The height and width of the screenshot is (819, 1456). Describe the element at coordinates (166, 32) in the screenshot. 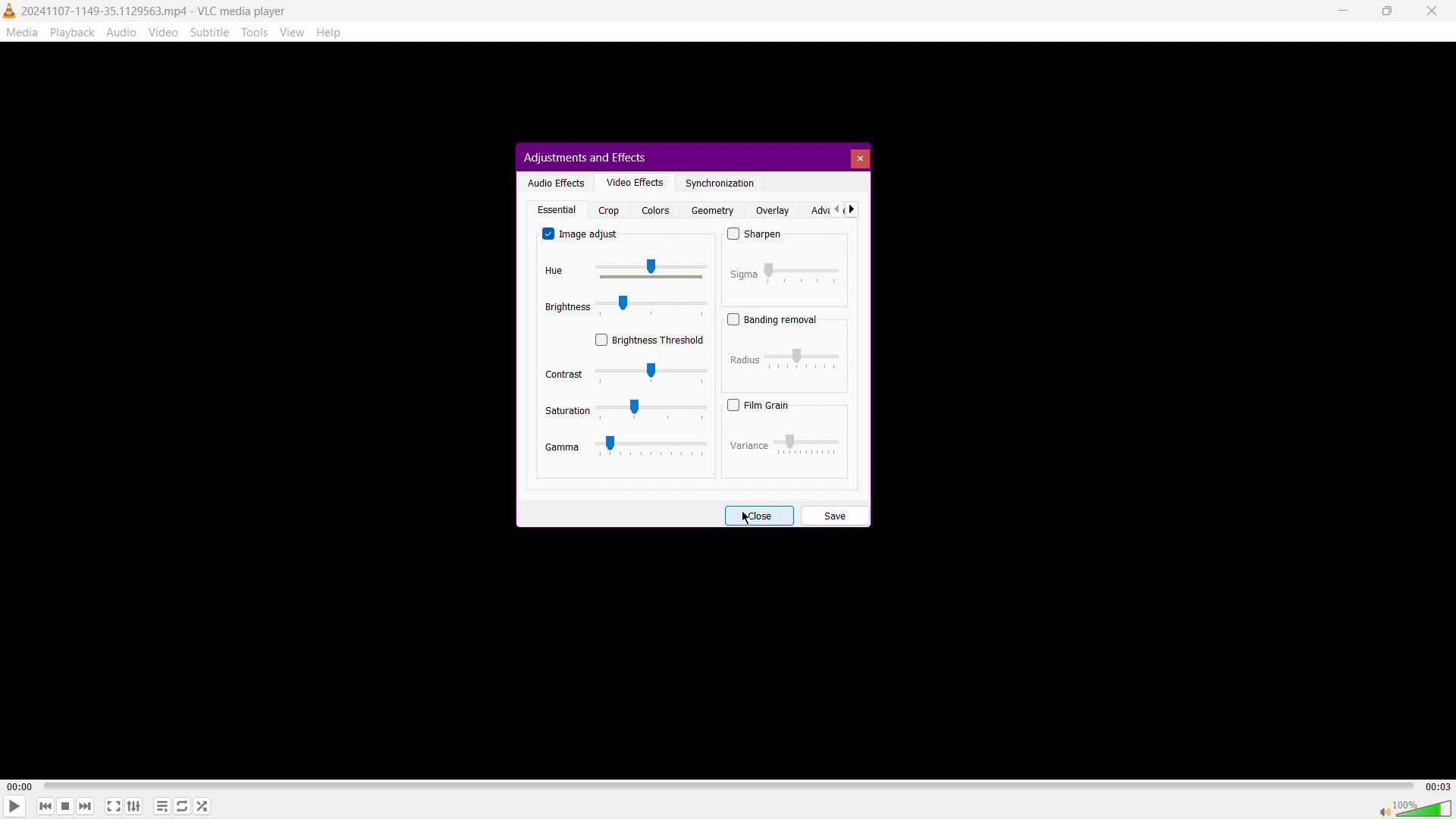

I see `Video` at that location.